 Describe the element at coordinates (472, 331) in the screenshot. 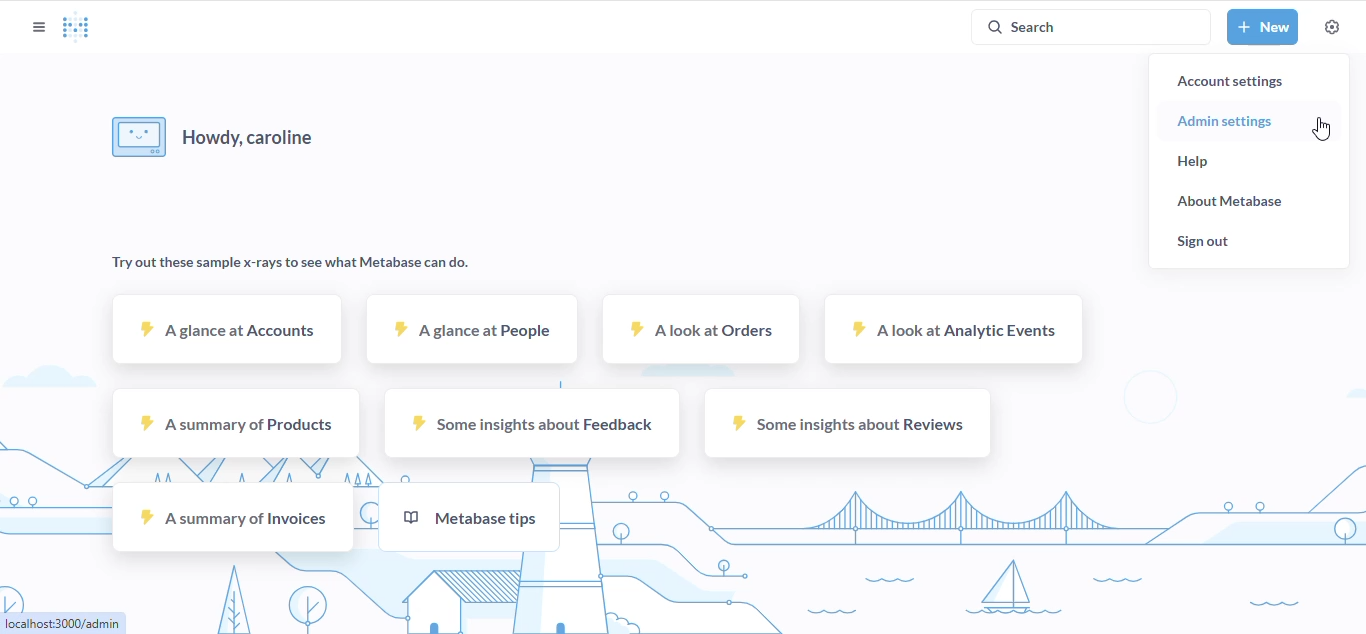

I see `a glance at people` at that location.